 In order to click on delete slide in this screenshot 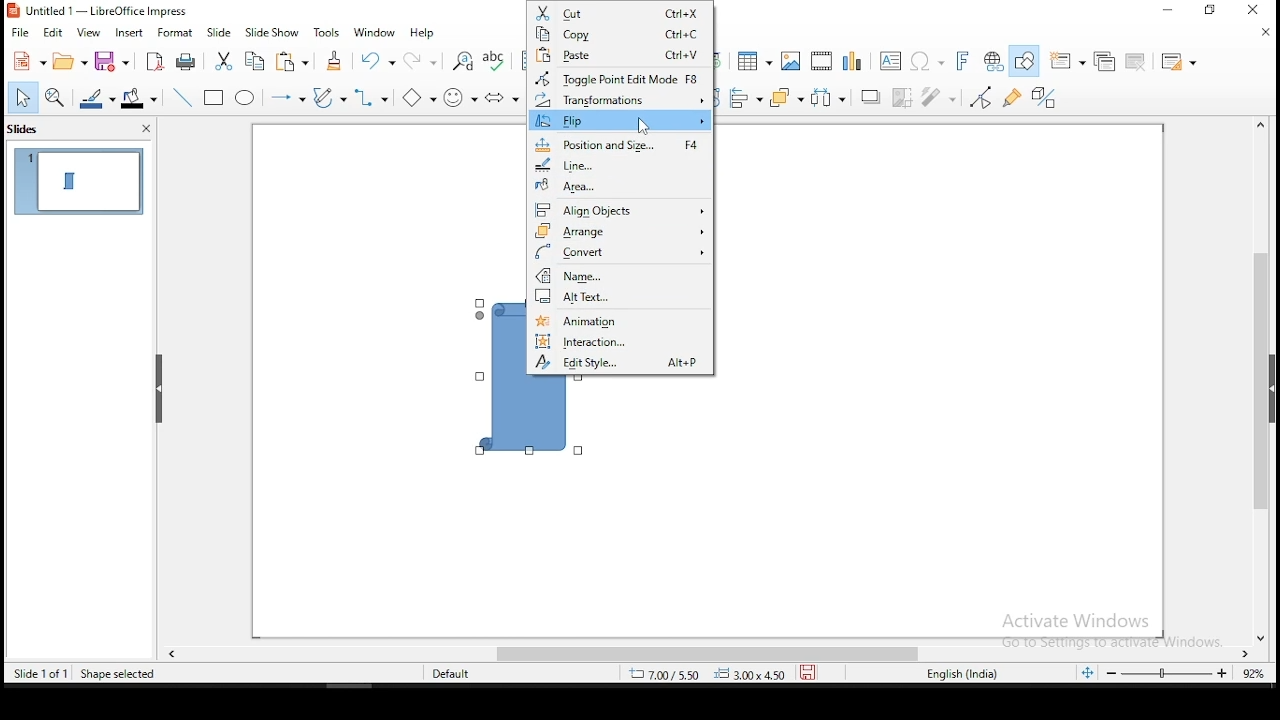, I will do `click(1138, 62)`.